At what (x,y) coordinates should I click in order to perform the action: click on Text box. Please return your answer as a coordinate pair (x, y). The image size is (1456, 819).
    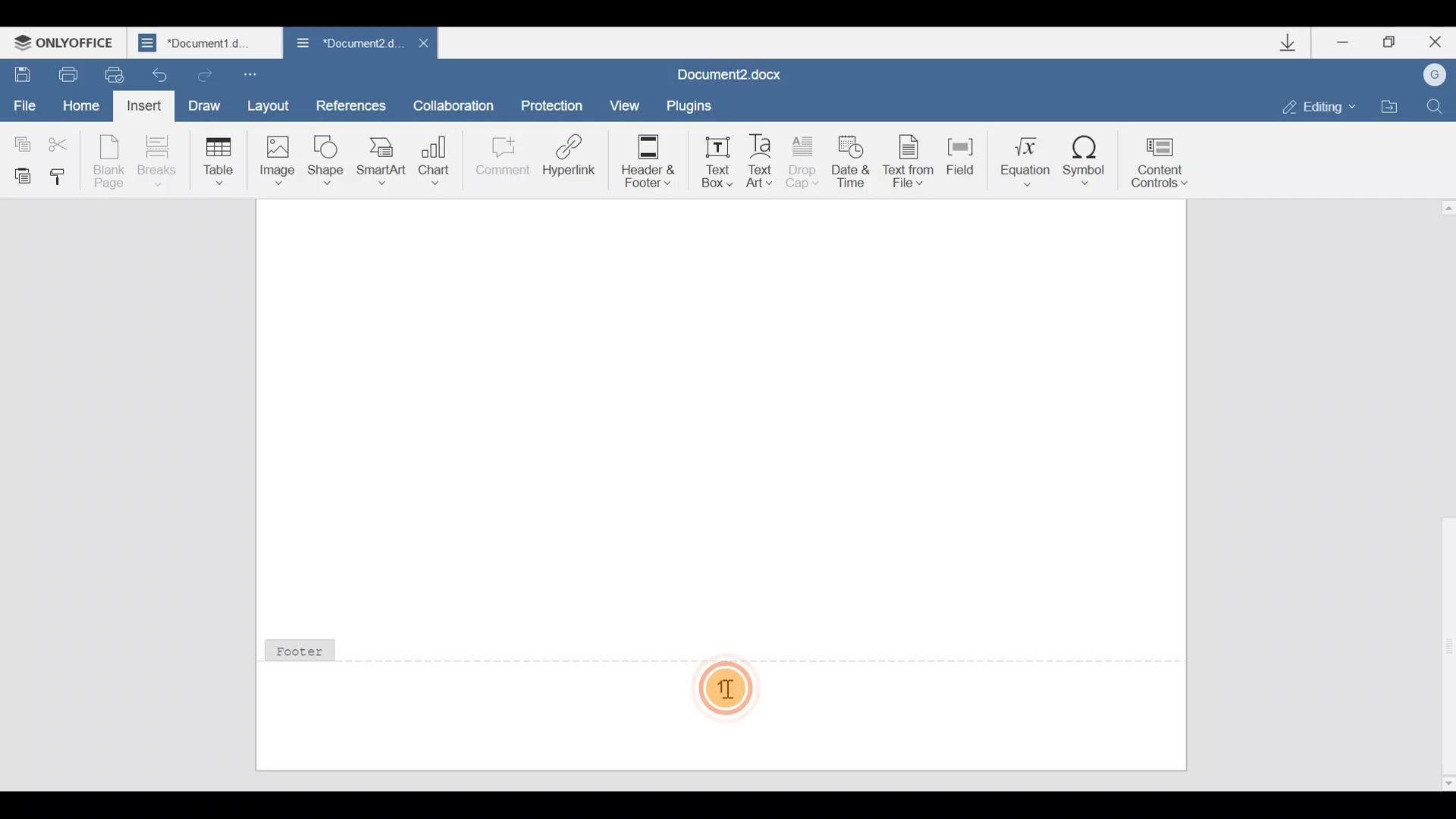
    Looking at the image, I should click on (713, 159).